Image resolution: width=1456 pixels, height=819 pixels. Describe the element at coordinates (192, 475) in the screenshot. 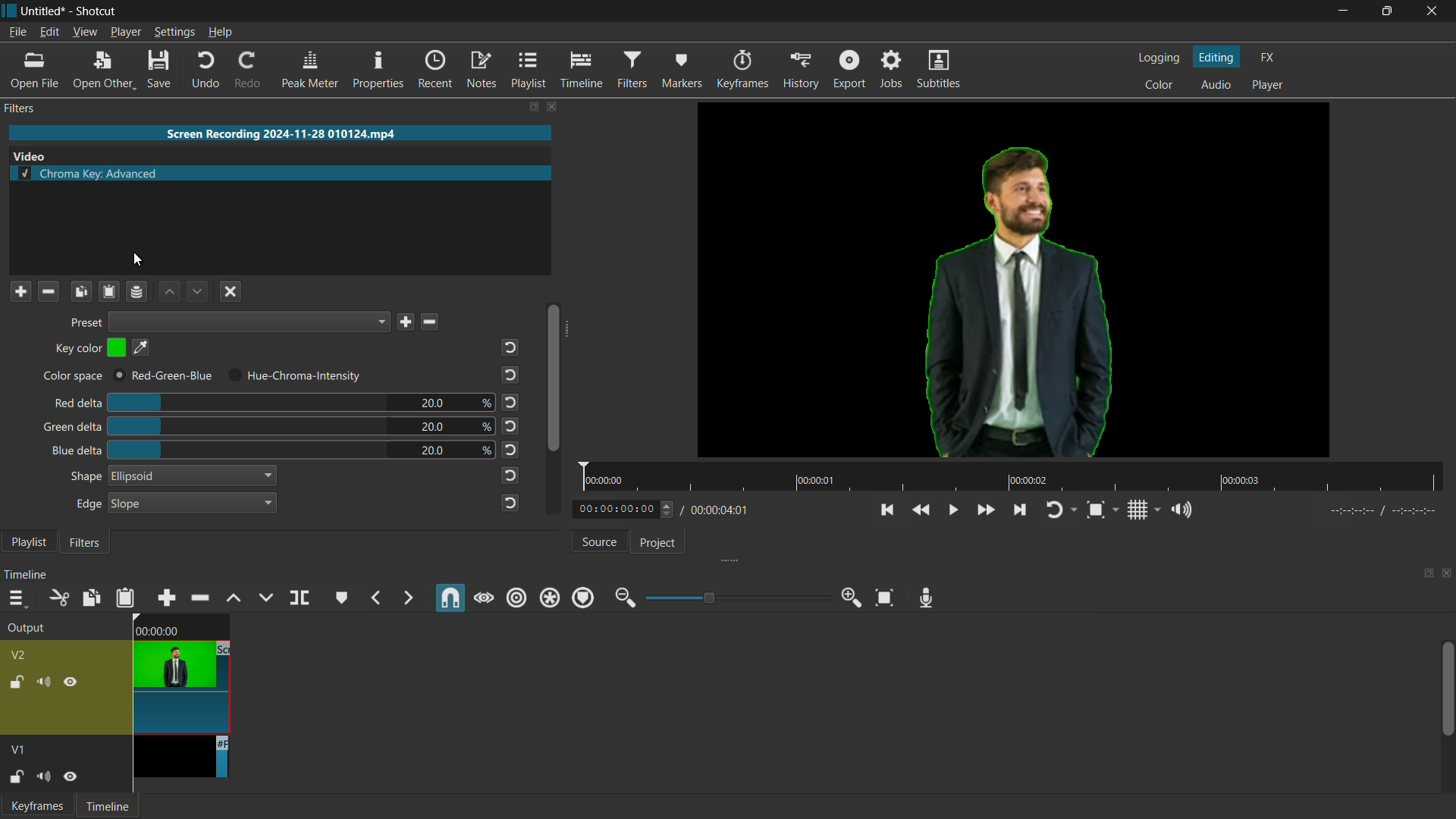

I see `ellipsoid` at that location.